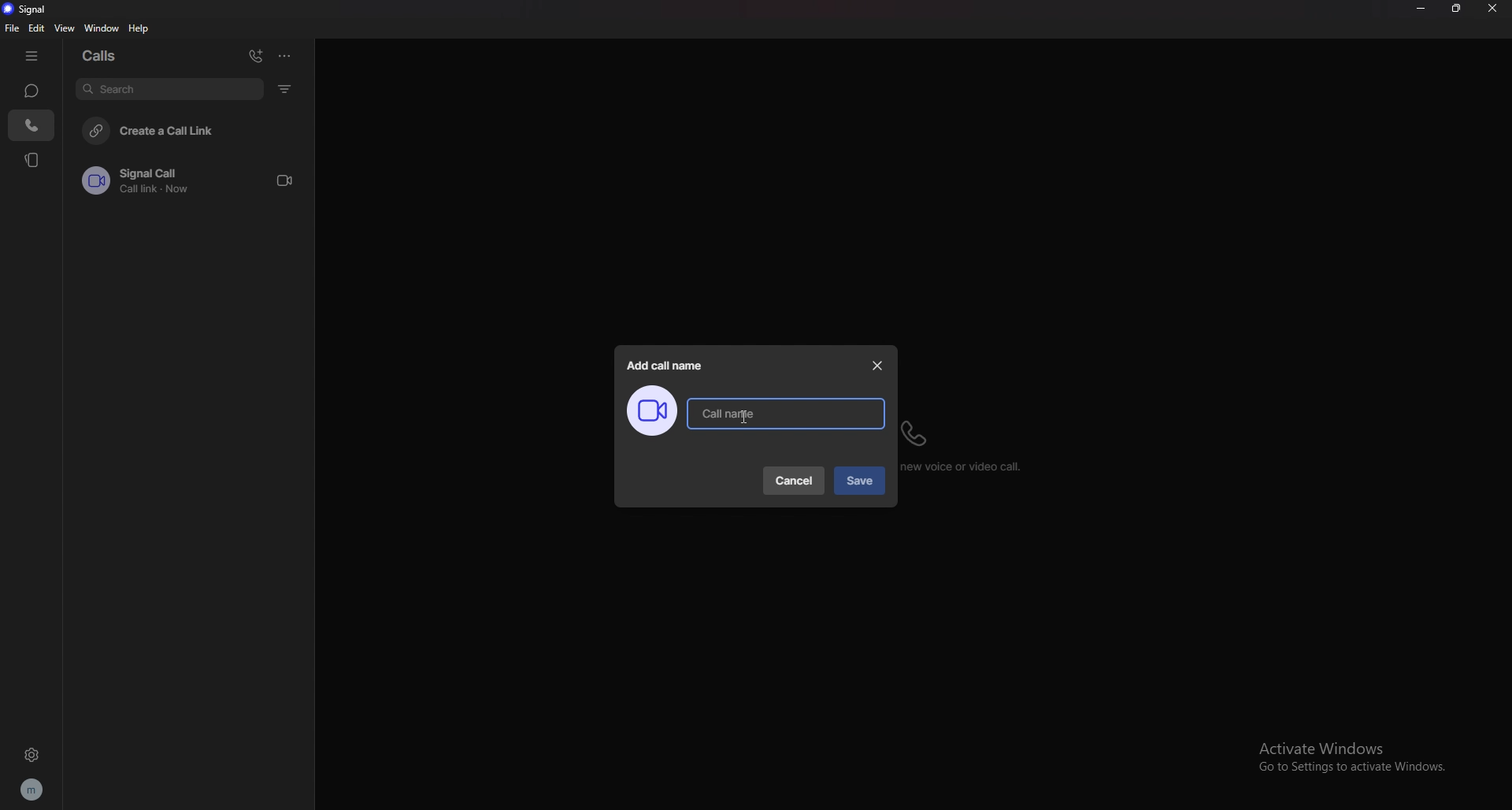 This screenshot has height=810, width=1512. What do you see at coordinates (878, 366) in the screenshot?
I see `close` at bounding box center [878, 366].